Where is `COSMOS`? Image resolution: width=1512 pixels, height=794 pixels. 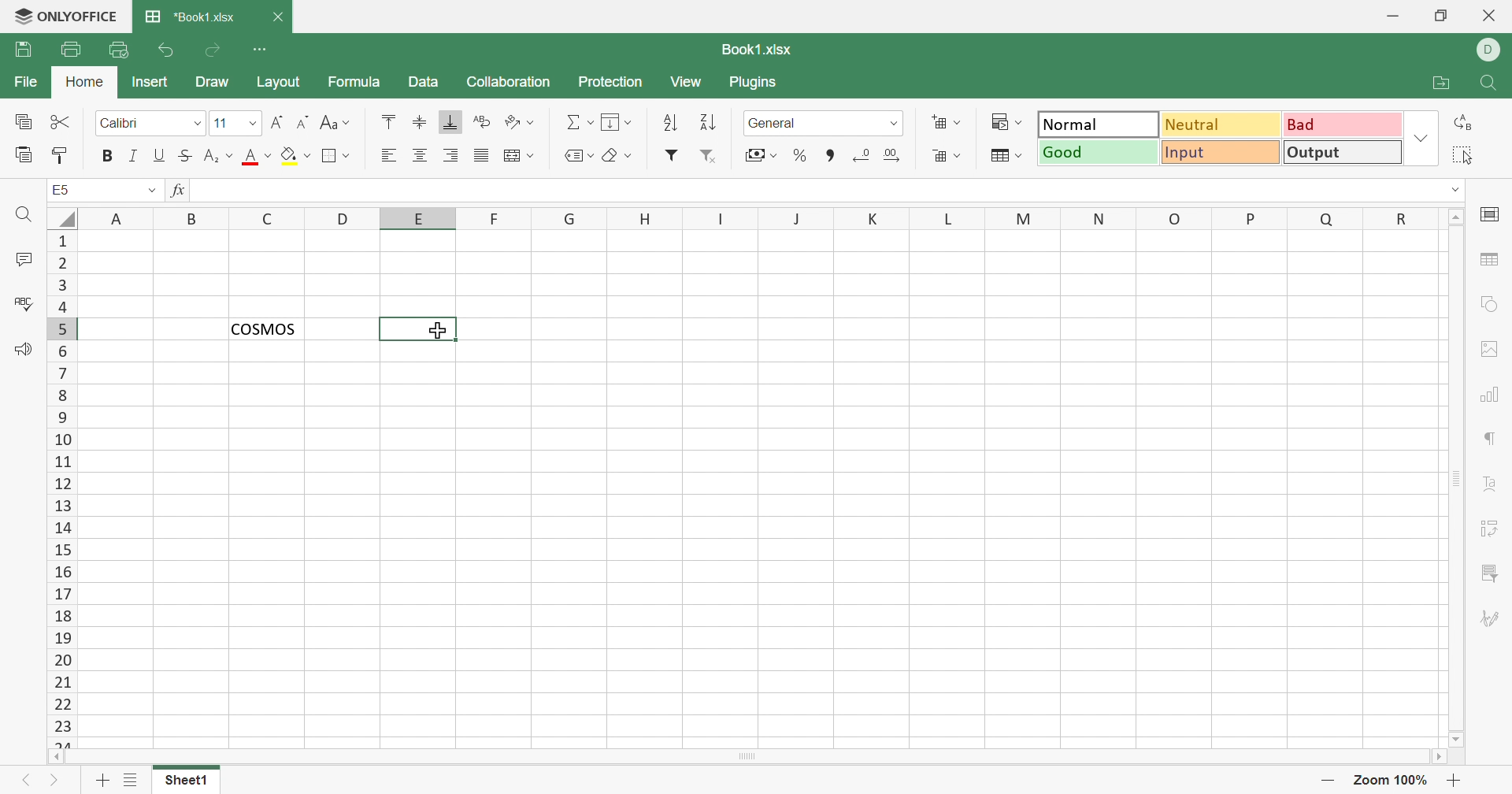
COSMOS is located at coordinates (264, 328).